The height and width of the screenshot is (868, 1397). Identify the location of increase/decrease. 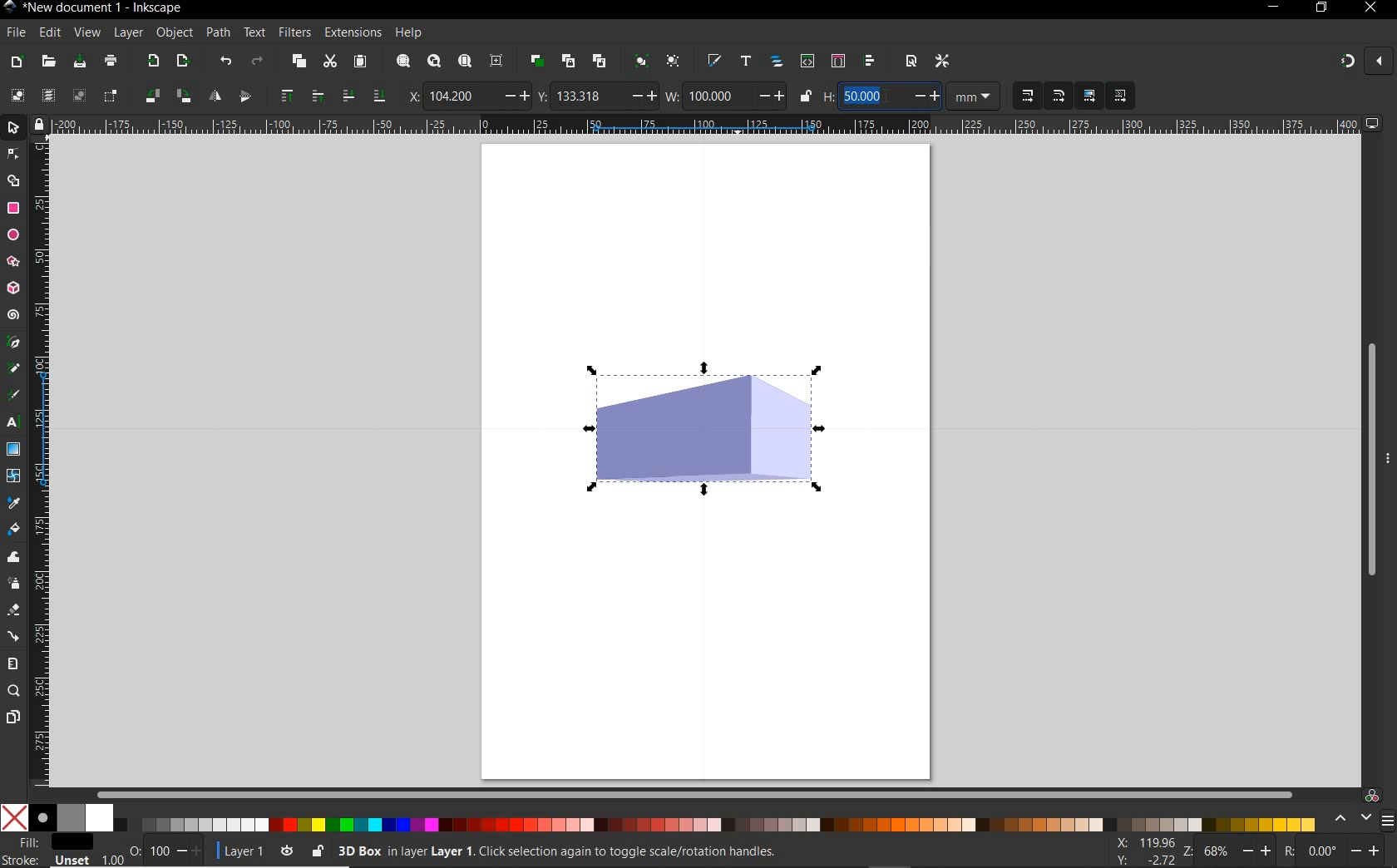
(926, 96).